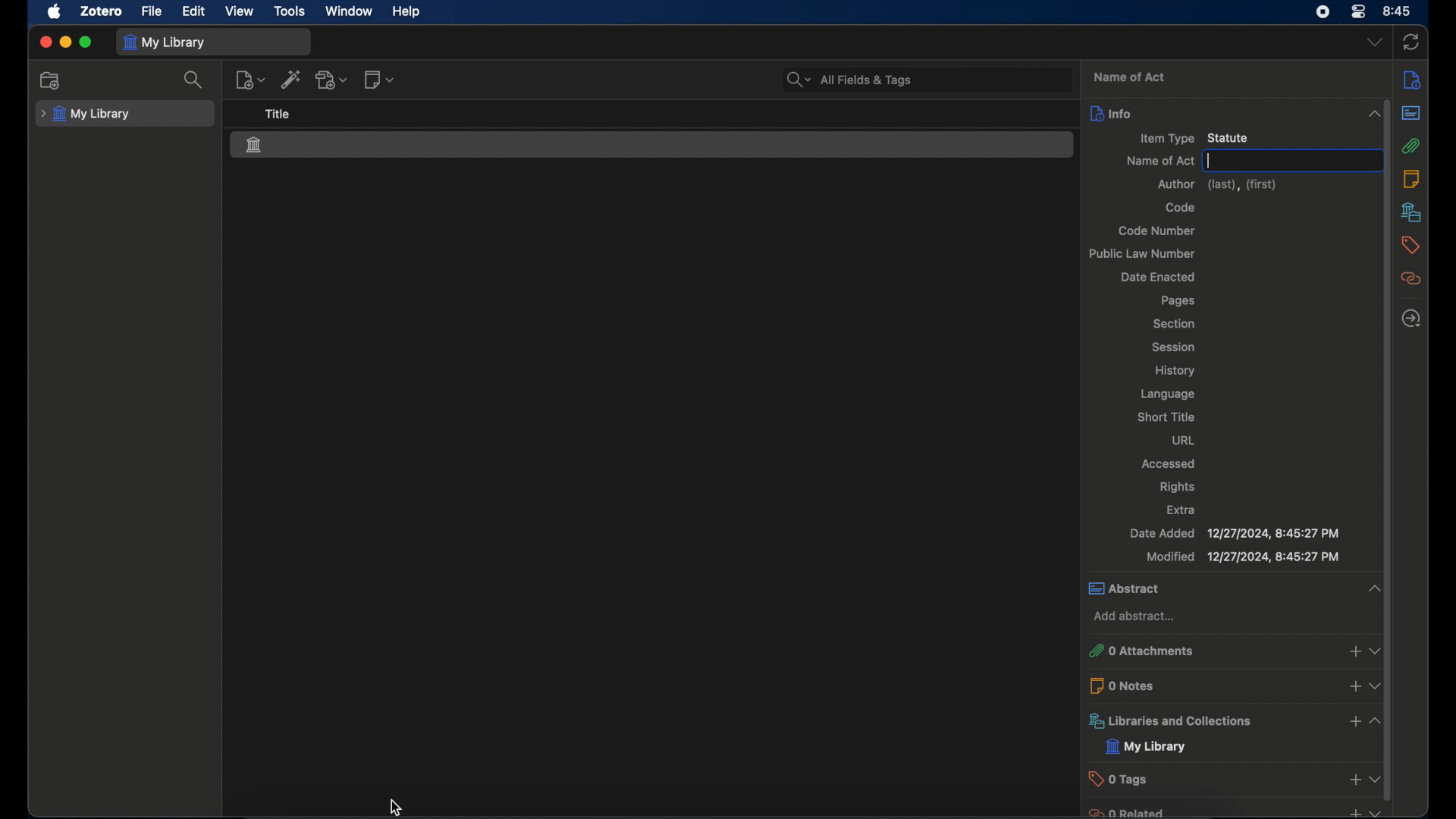  Describe the element at coordinates (165, 42) in the screenshot. I see `my library` at that location.